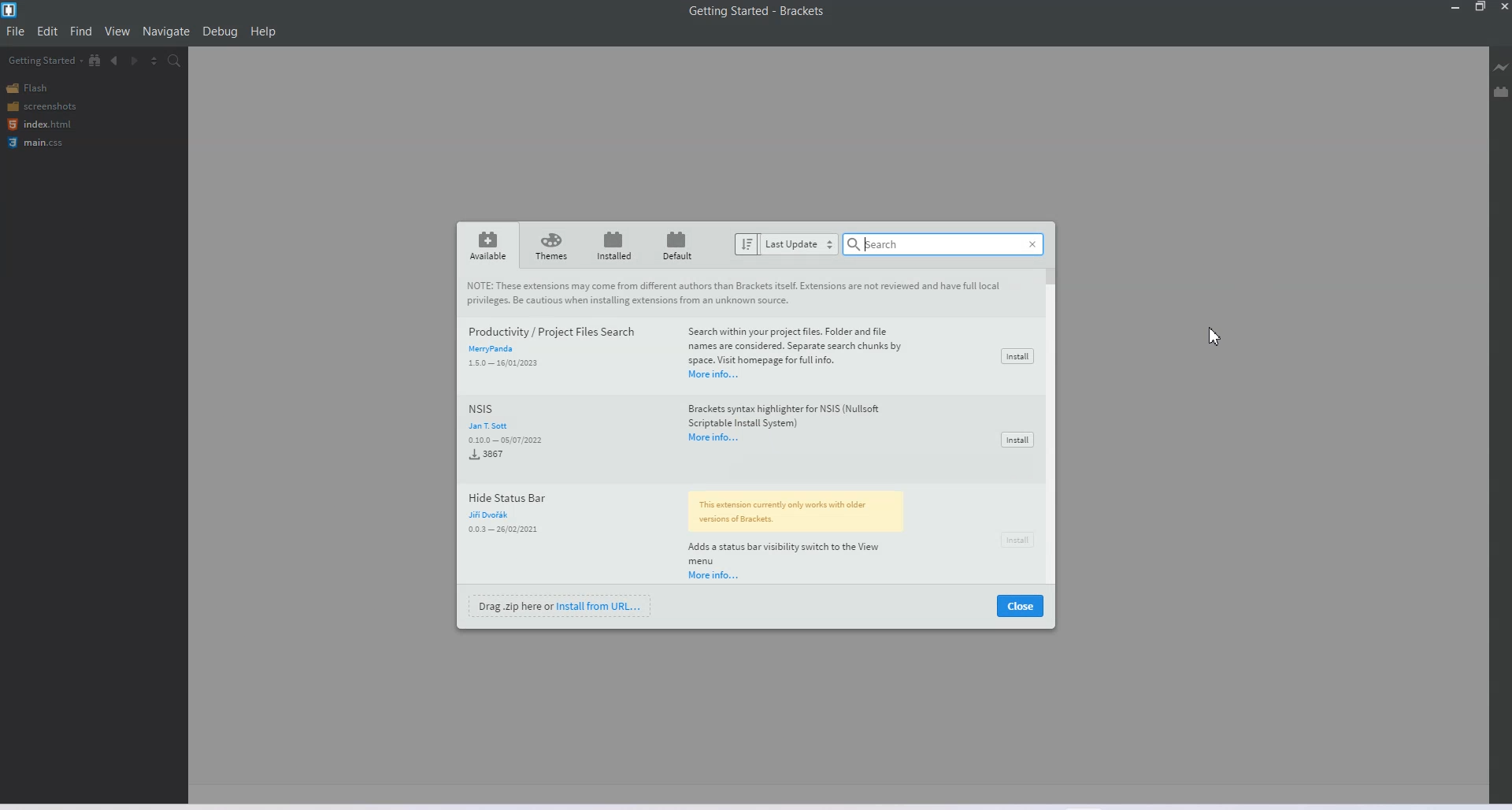 The width and height of the screenshot is (1512, 810). I want to click on Maximize, so click(1480, 7).